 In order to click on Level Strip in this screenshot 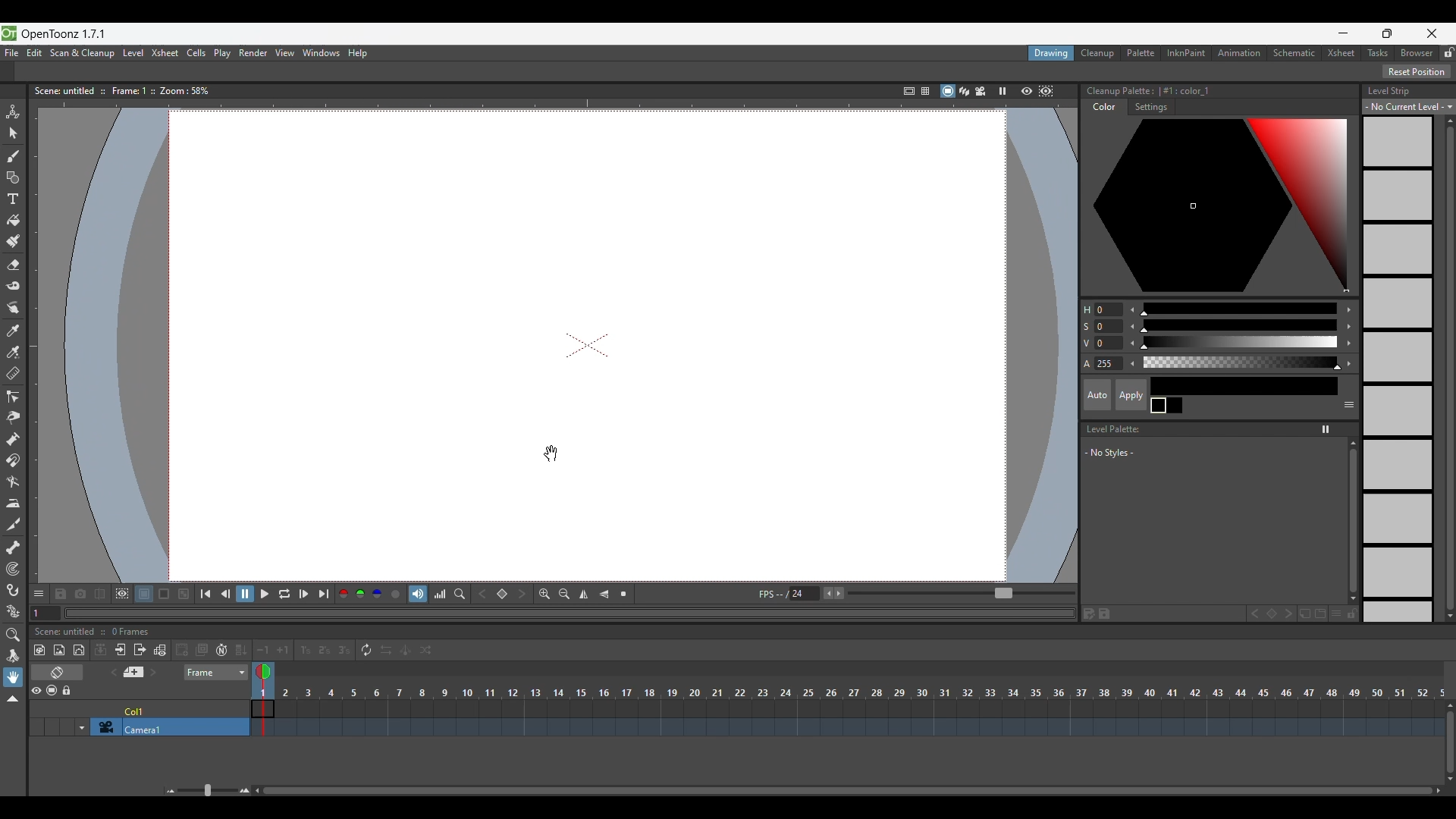, I will do `click(1397, 89)`.